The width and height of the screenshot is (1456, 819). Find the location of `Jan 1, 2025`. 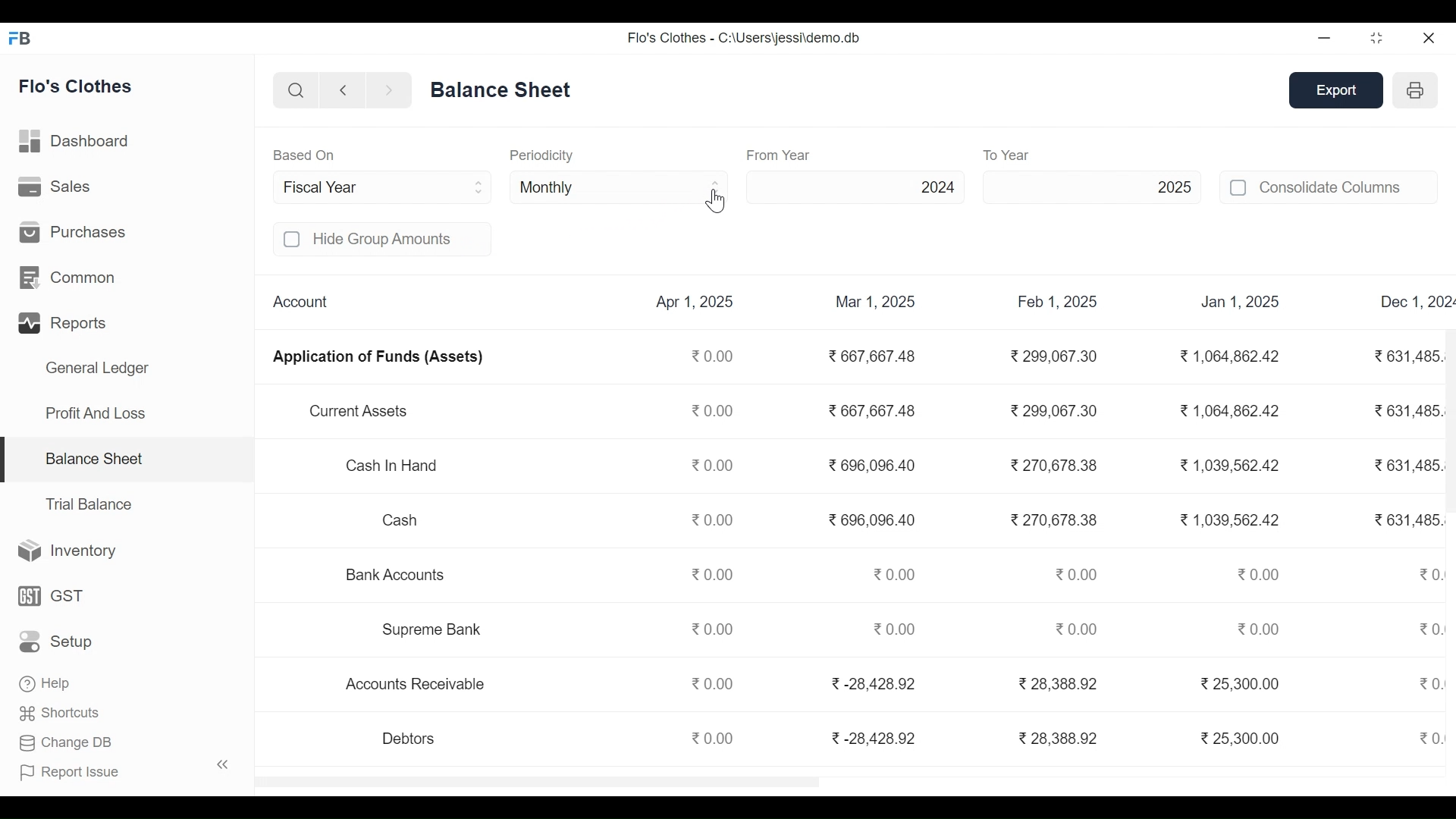

Jan 1, 2025 is located at coordinates (1241, 303).